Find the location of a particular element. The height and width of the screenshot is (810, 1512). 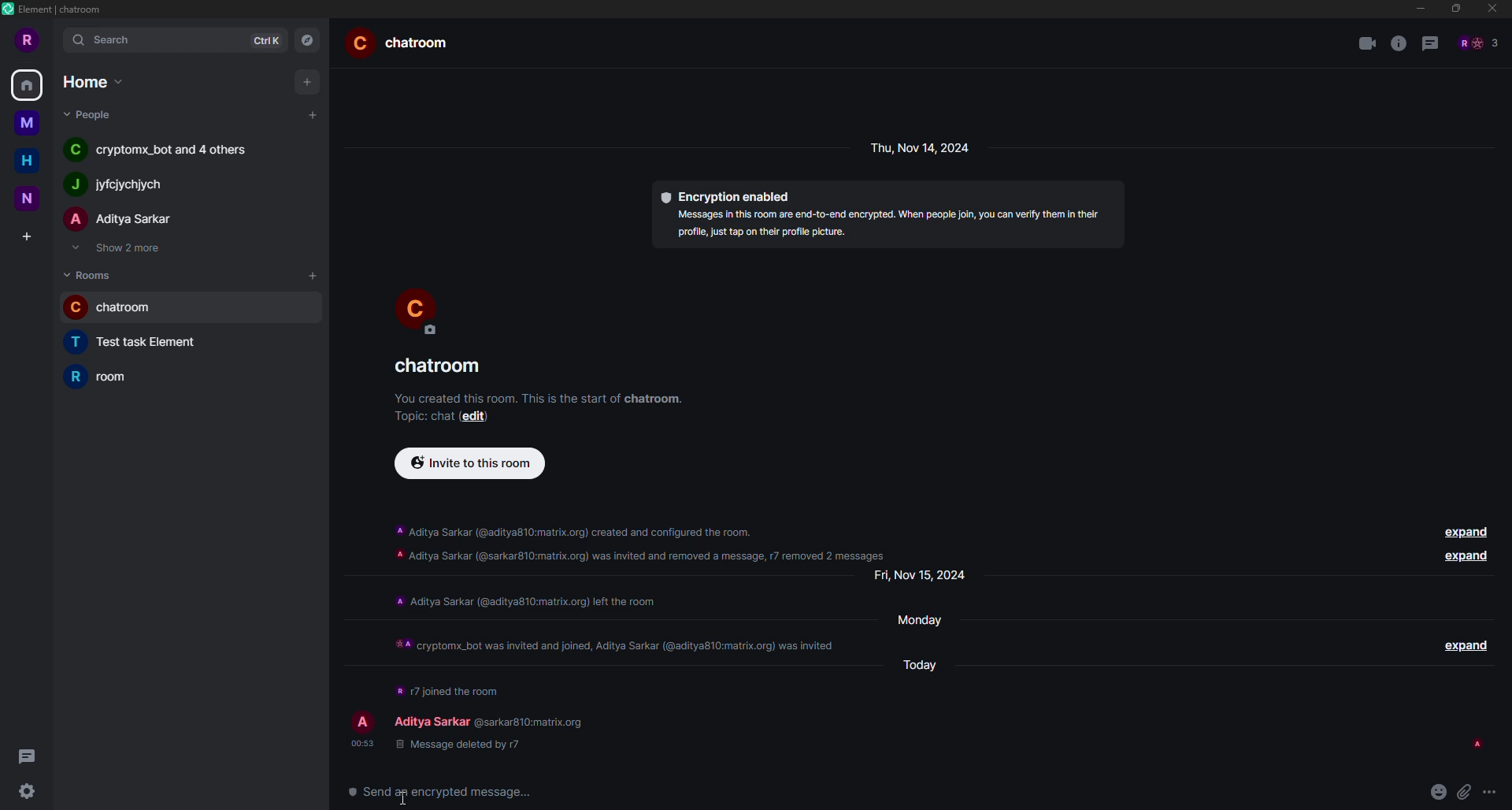

expand is located at coordinates (1463, 530).